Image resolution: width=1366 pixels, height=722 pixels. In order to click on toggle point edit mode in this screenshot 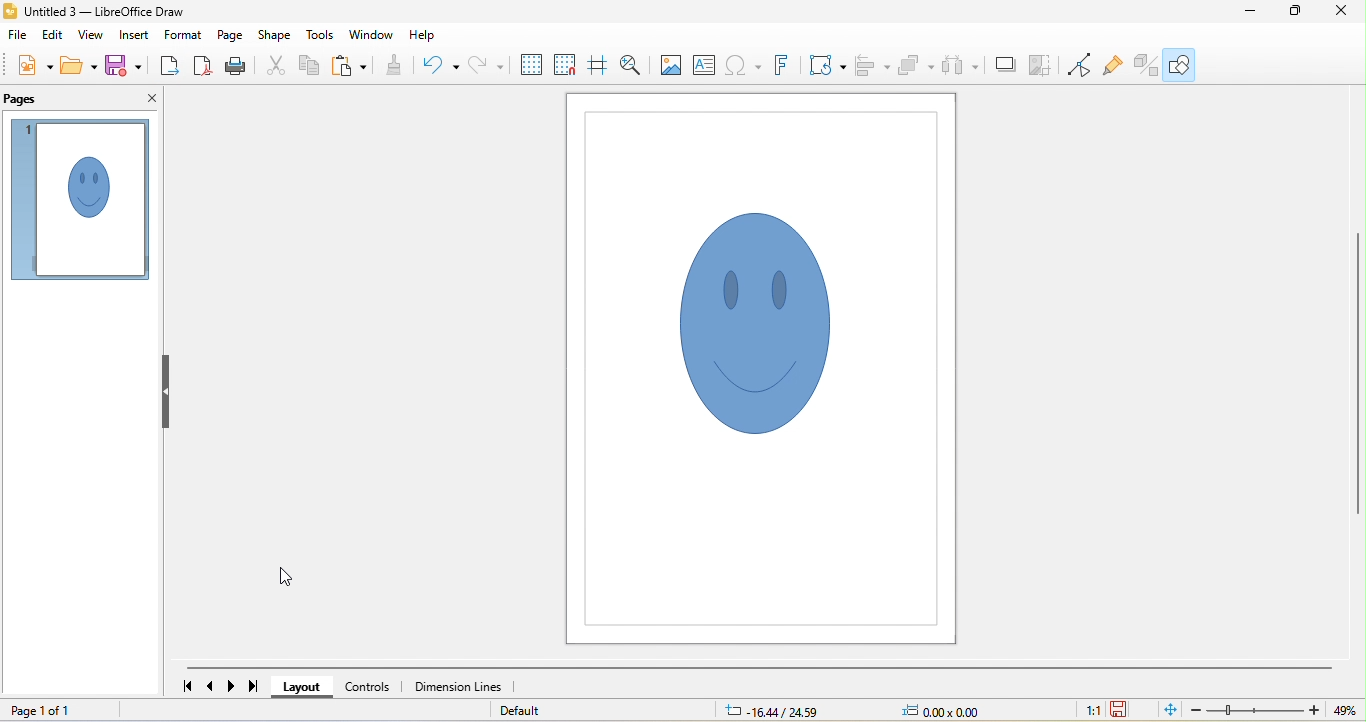, I will do `click(1080, 67)`.